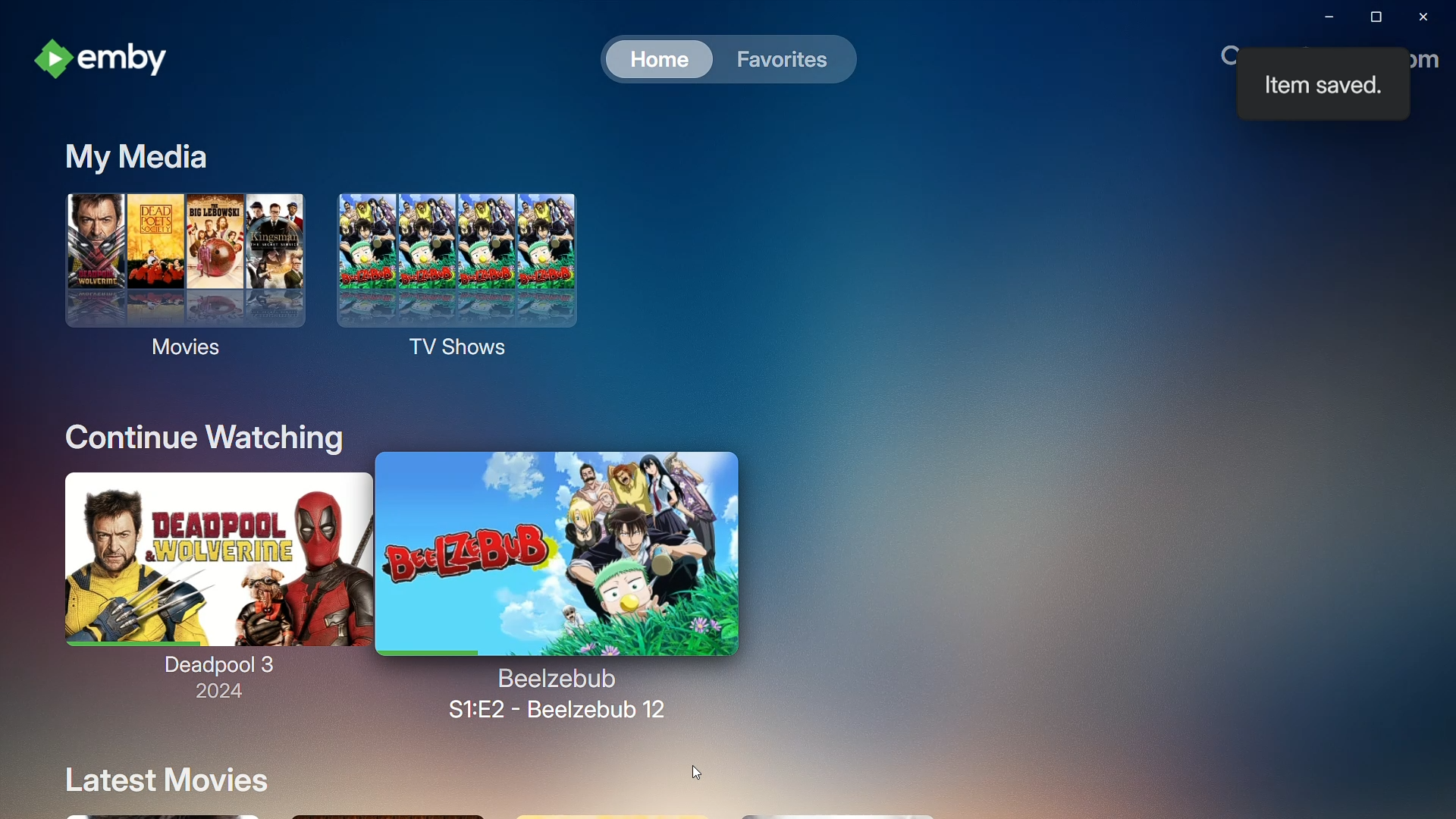 This screenshot has width=1456, height=819. I want to click on Movies, so click(178, 282).